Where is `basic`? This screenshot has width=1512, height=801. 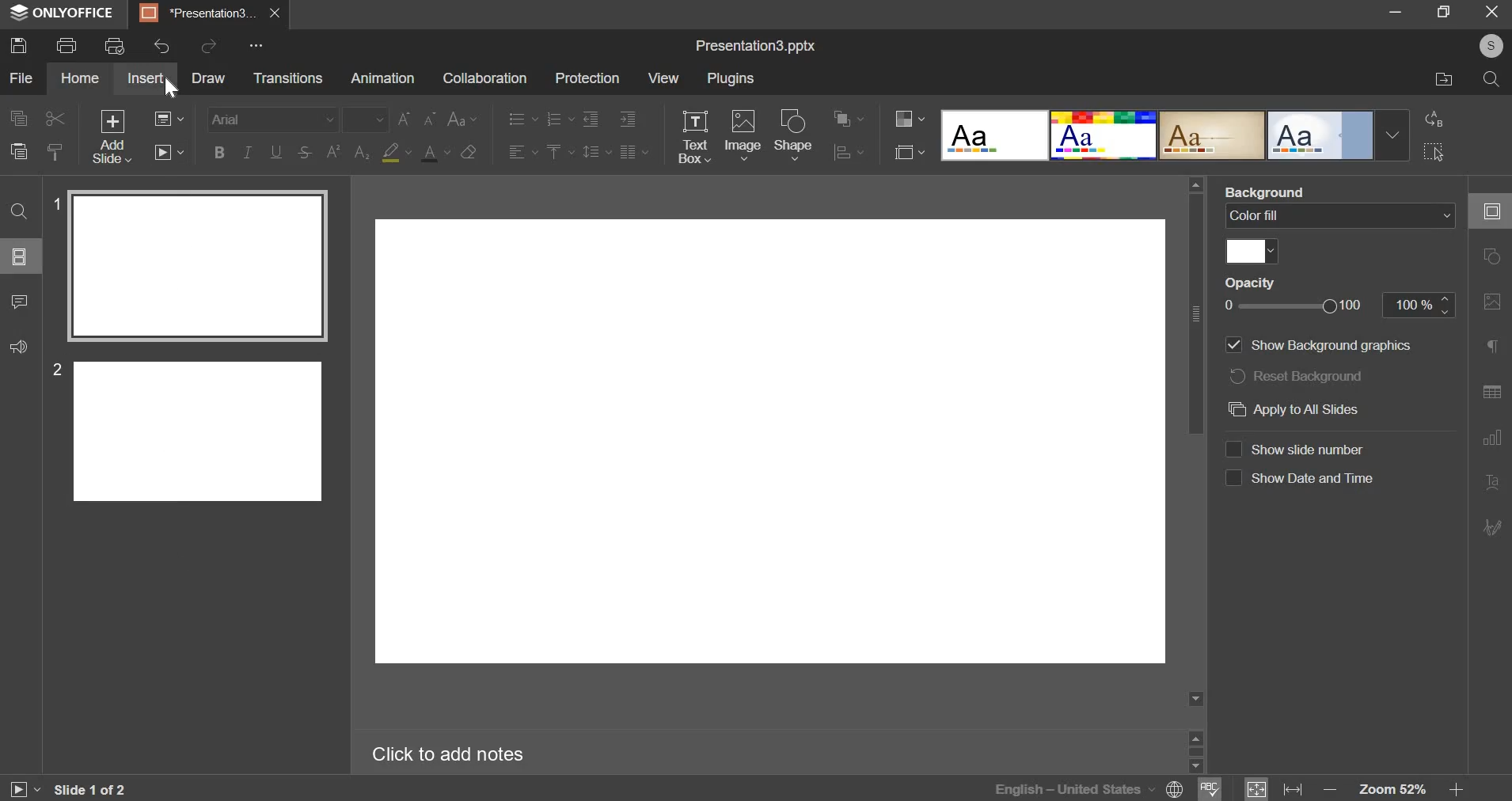 basic is located at coordinates (1103, 135).